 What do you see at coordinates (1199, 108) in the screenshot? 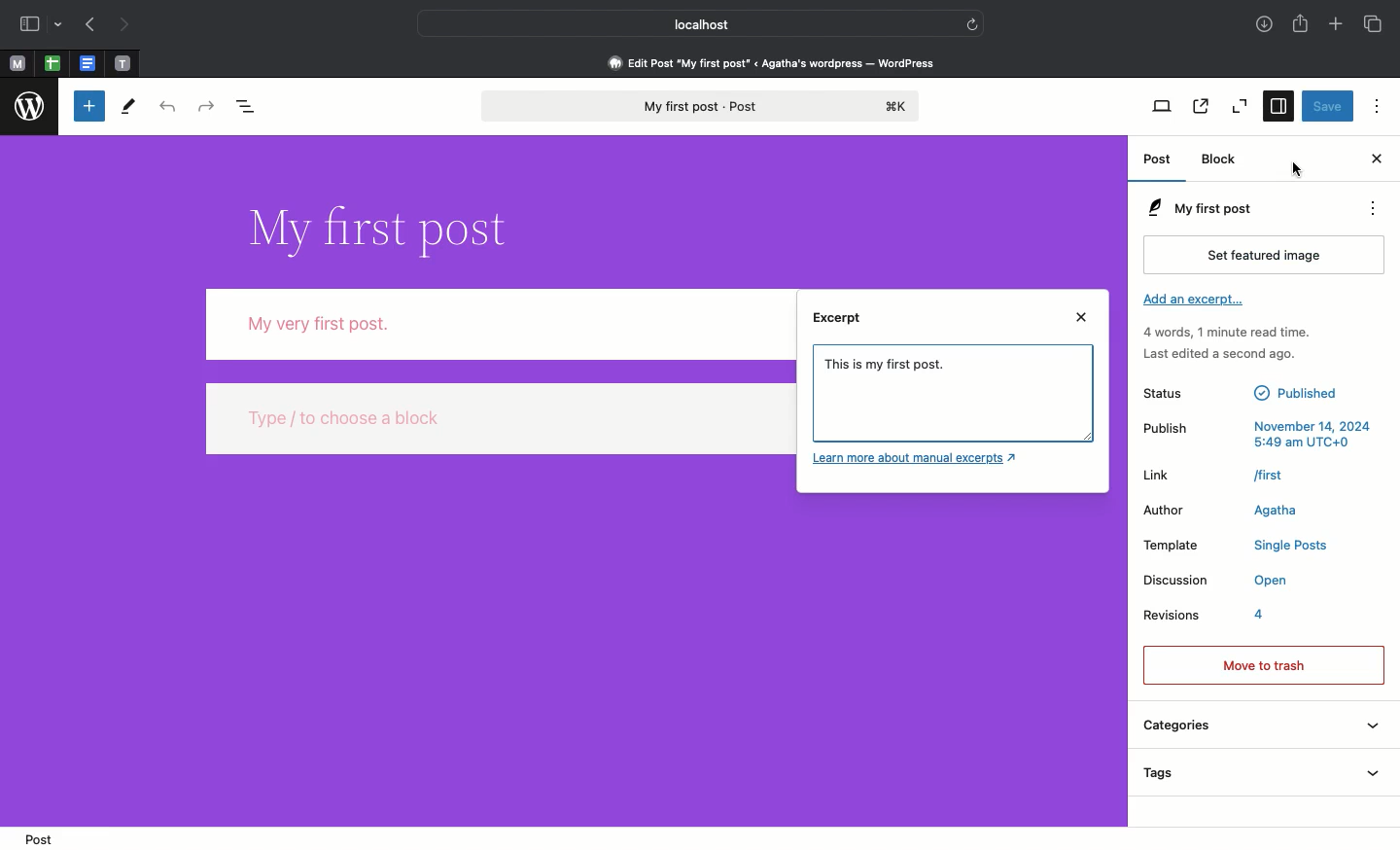
I see `View post` at bounding box center [1199, 108].